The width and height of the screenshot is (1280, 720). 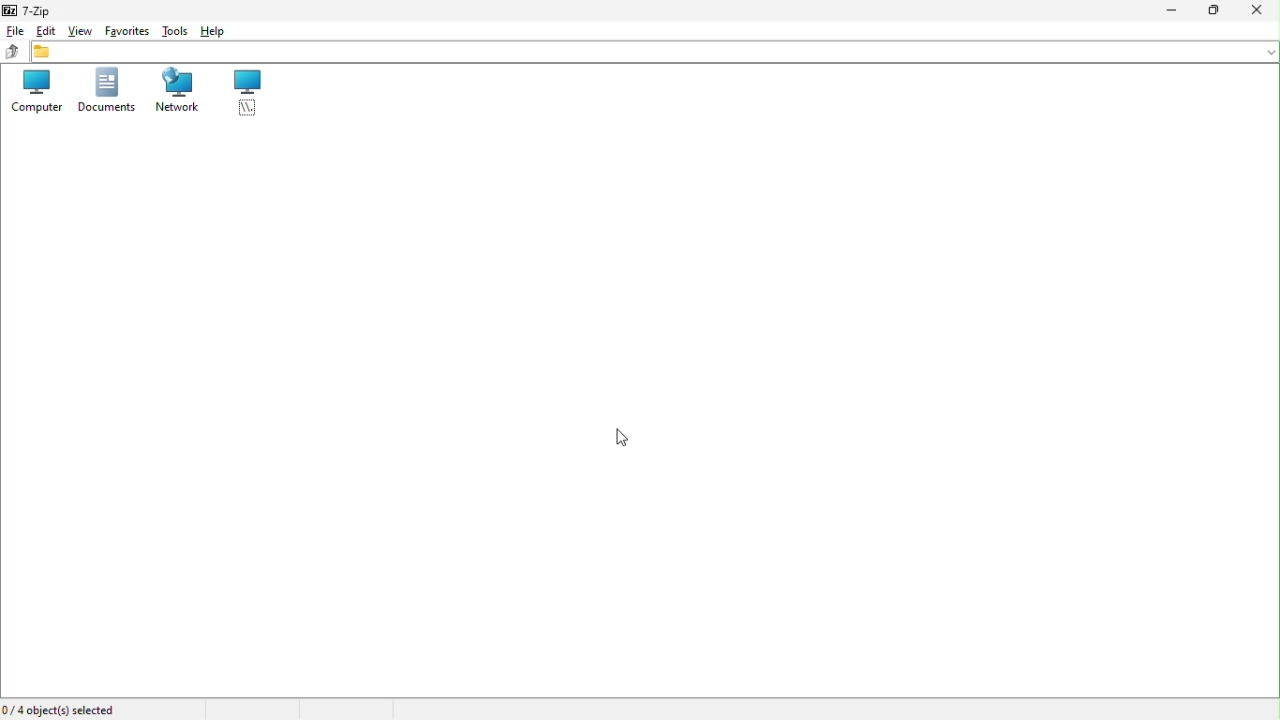 I want to click on close, so click(x=1261, y=9).